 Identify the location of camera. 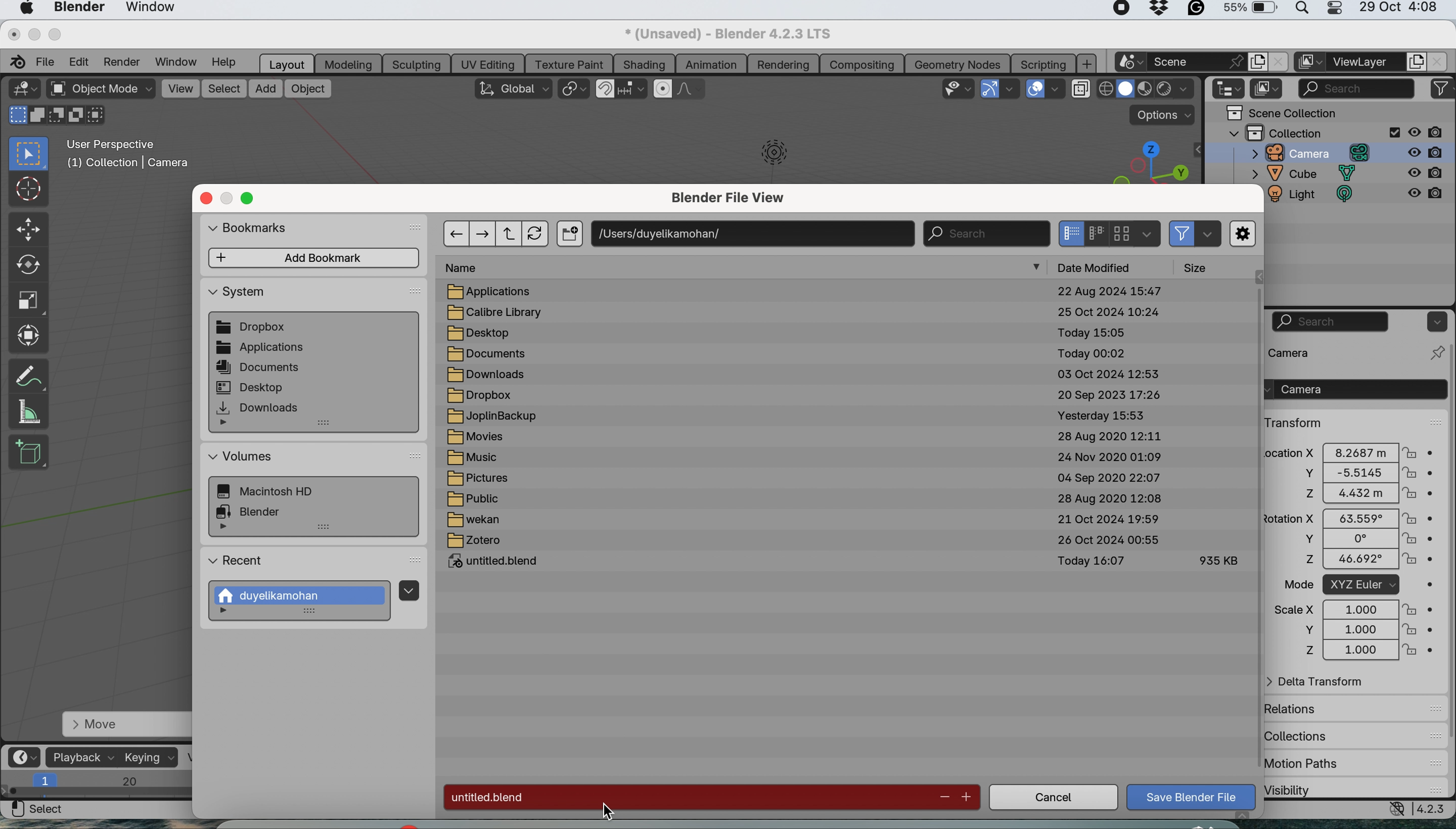
(1304, 153).